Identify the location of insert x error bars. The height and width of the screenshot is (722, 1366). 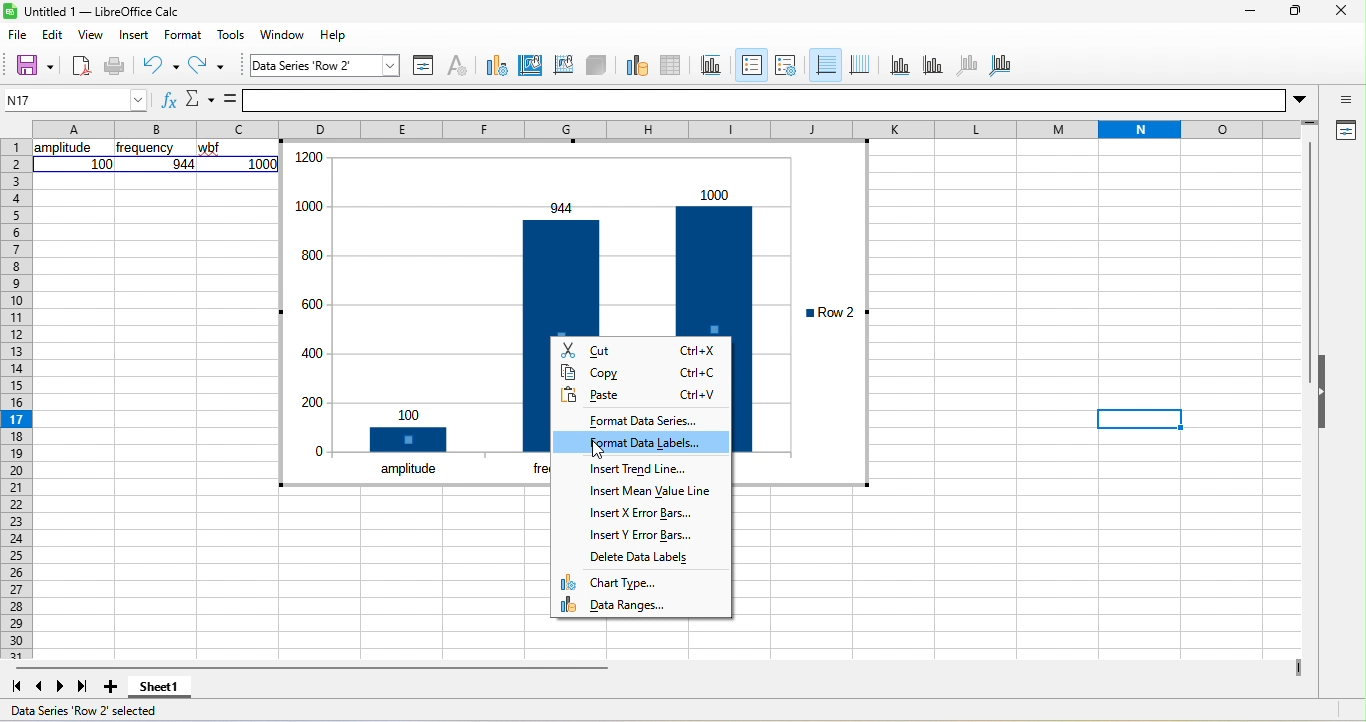
(642, 515).